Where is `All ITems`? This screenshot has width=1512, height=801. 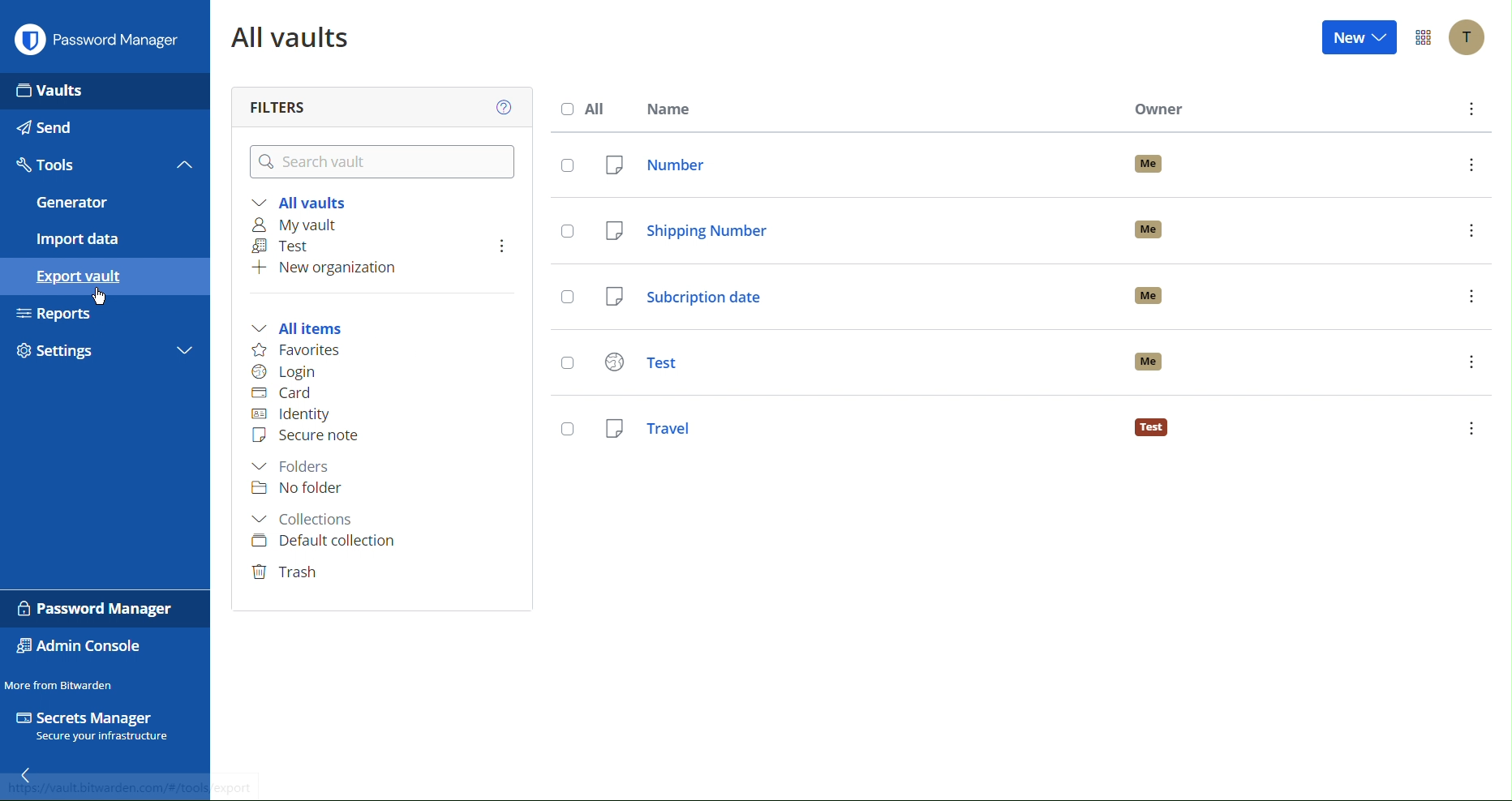 All ITems is located at coordinates (294, 328).